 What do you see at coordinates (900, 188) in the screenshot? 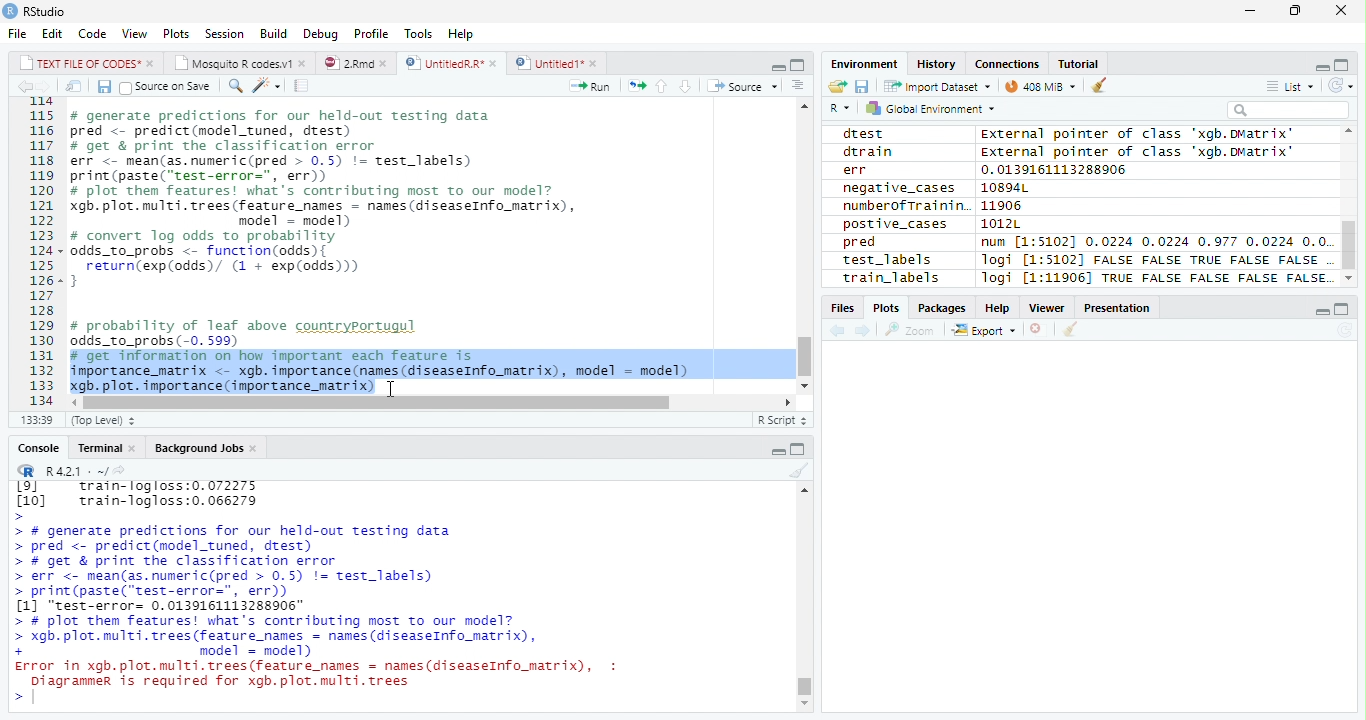
I see `negative_cases` at bounding box center [900, 188].